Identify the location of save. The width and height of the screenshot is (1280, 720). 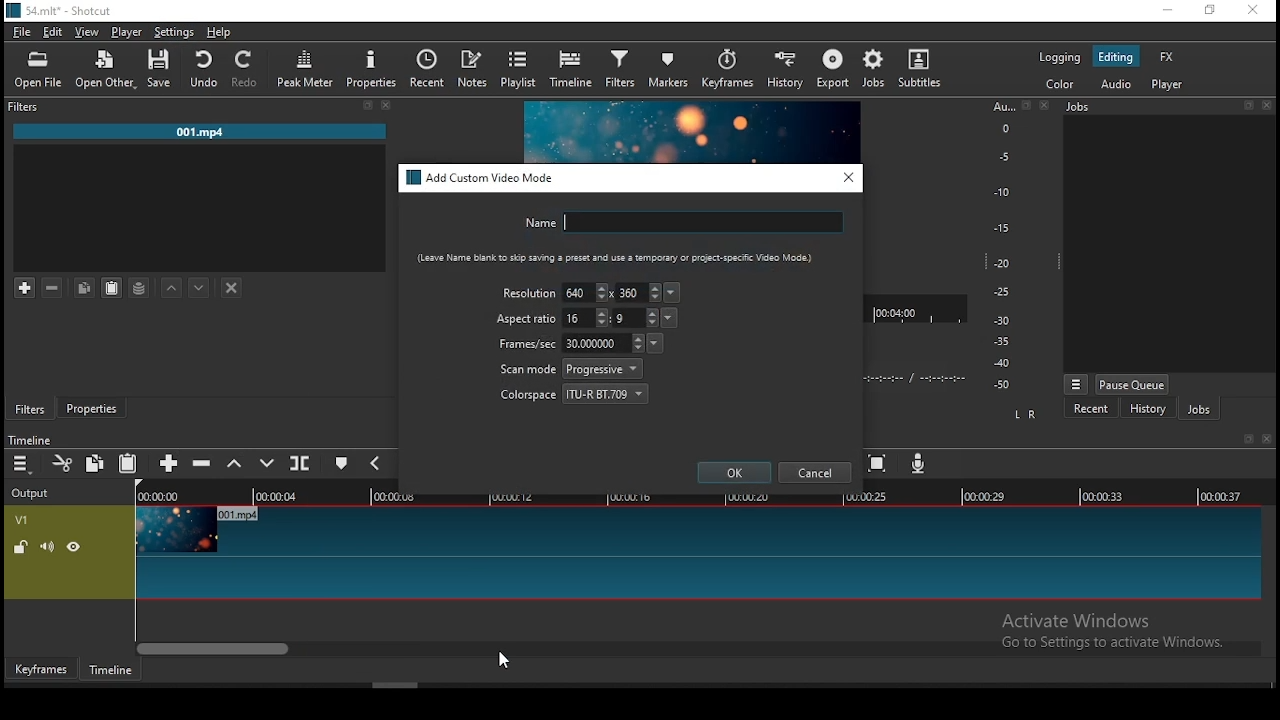
(164, 69).